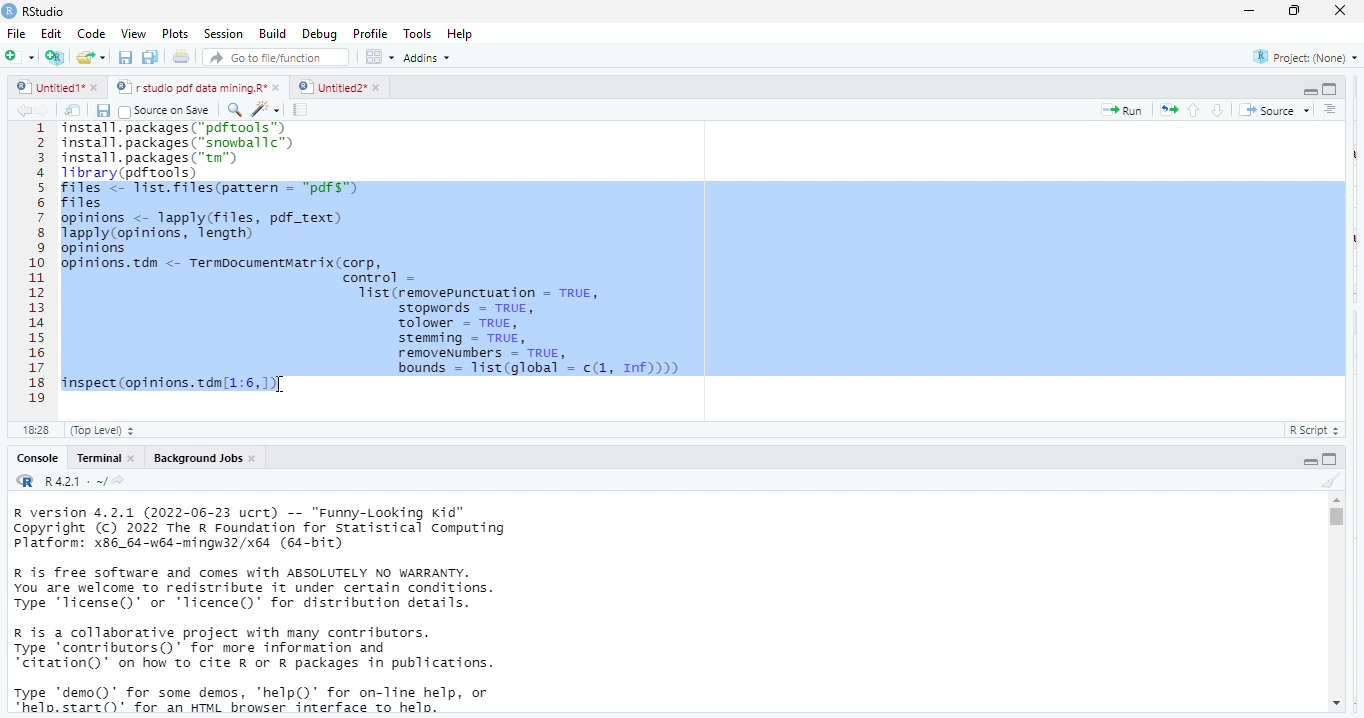 The height and width of the screenshot is (718, 1364). What do you see at coordinates (48, 88) in the screenshot?
I see `untitled1` at bounding box center [48, 88].